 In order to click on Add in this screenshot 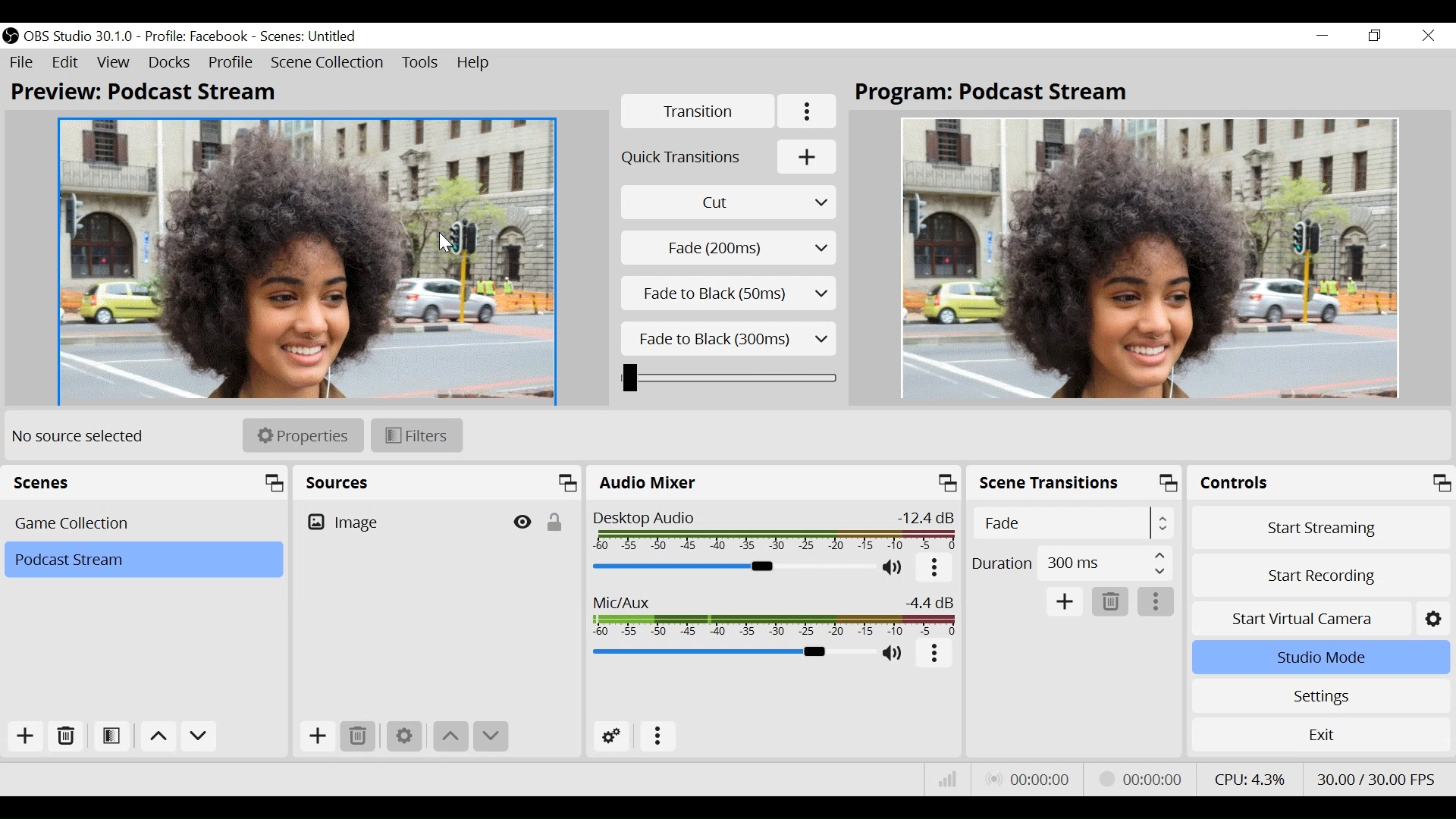, I will do `click(25, 735)`.